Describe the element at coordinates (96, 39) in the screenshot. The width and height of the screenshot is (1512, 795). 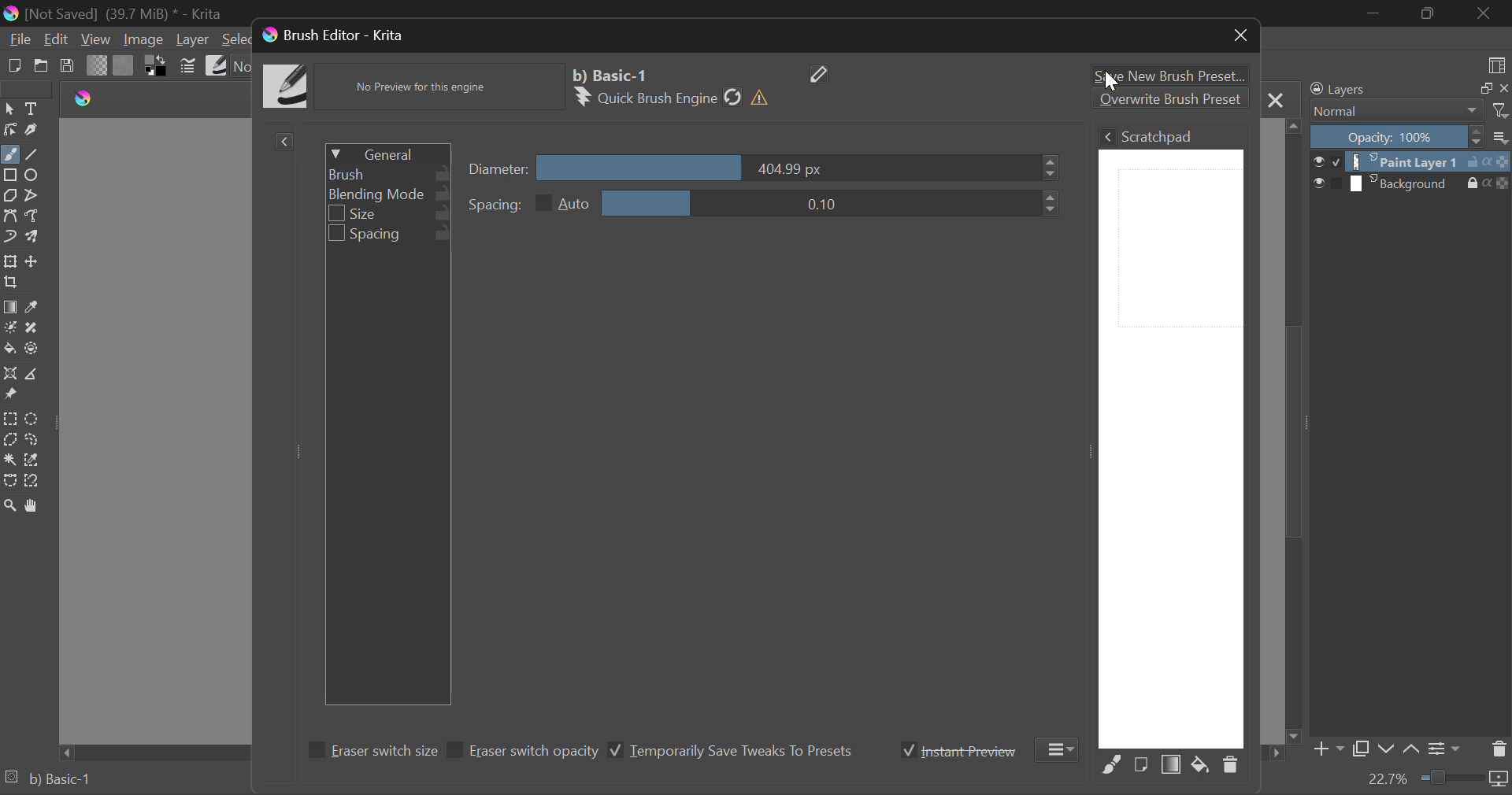
I see `View` at that location.